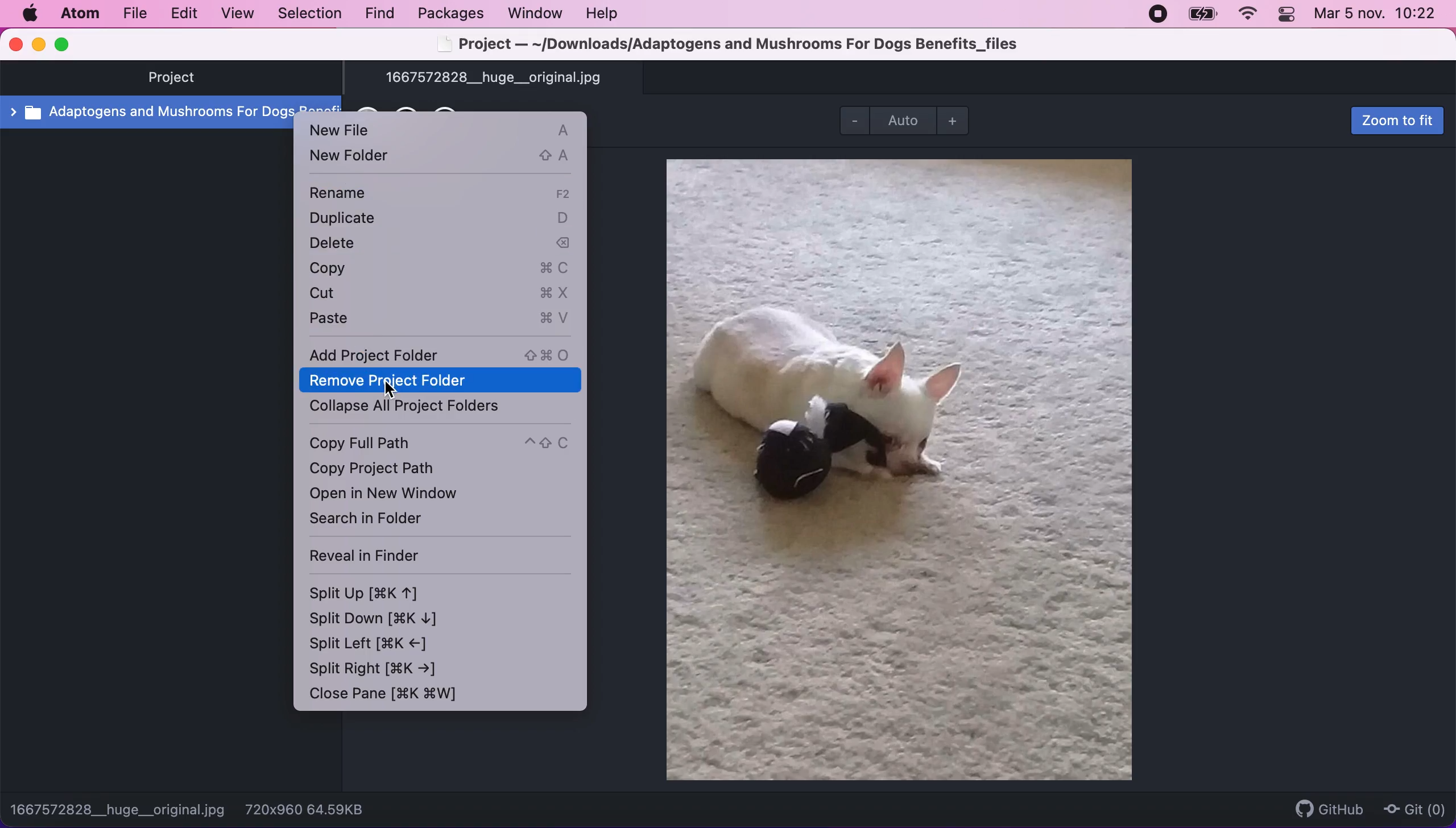 This screenshot has height=828, width=1456. Describe the element at coordinates (399, 494) in the screenshot. I see `open in new window` at that location.